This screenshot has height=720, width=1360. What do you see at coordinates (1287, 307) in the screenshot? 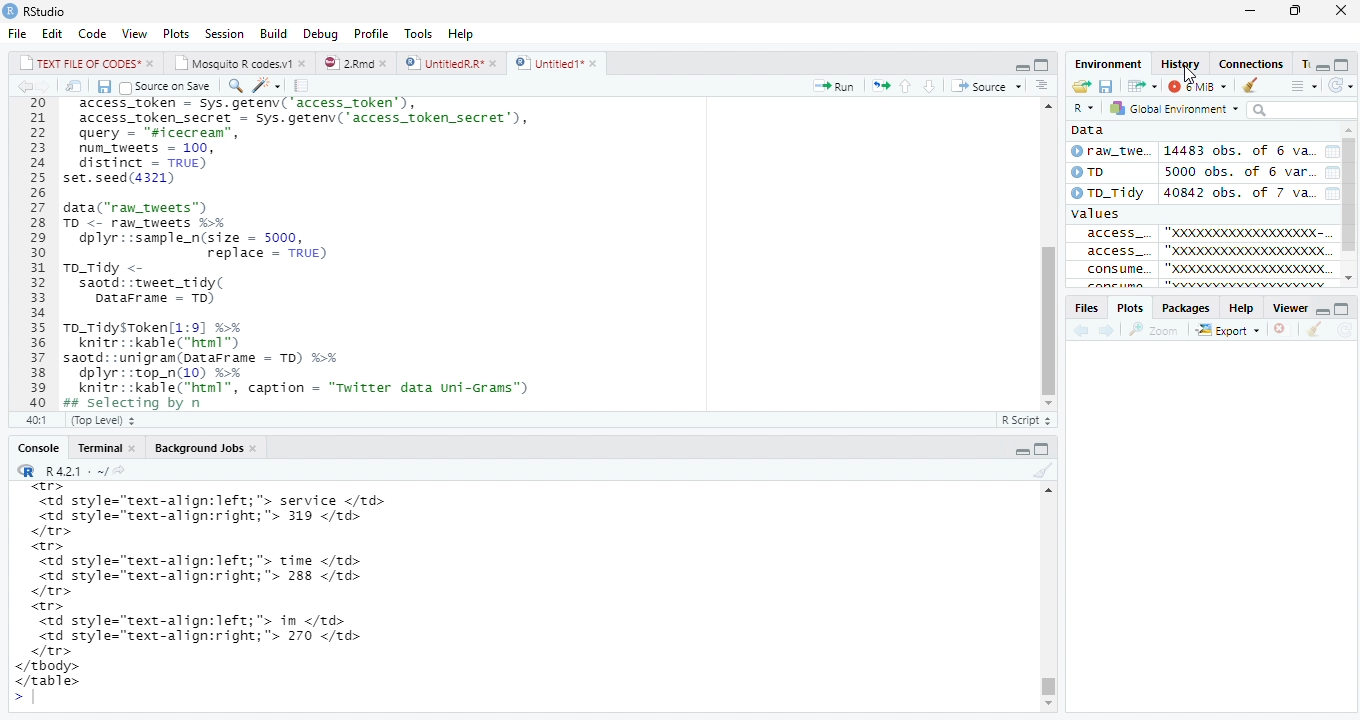
I see `Viewer` at bounding box center [1287, 307].